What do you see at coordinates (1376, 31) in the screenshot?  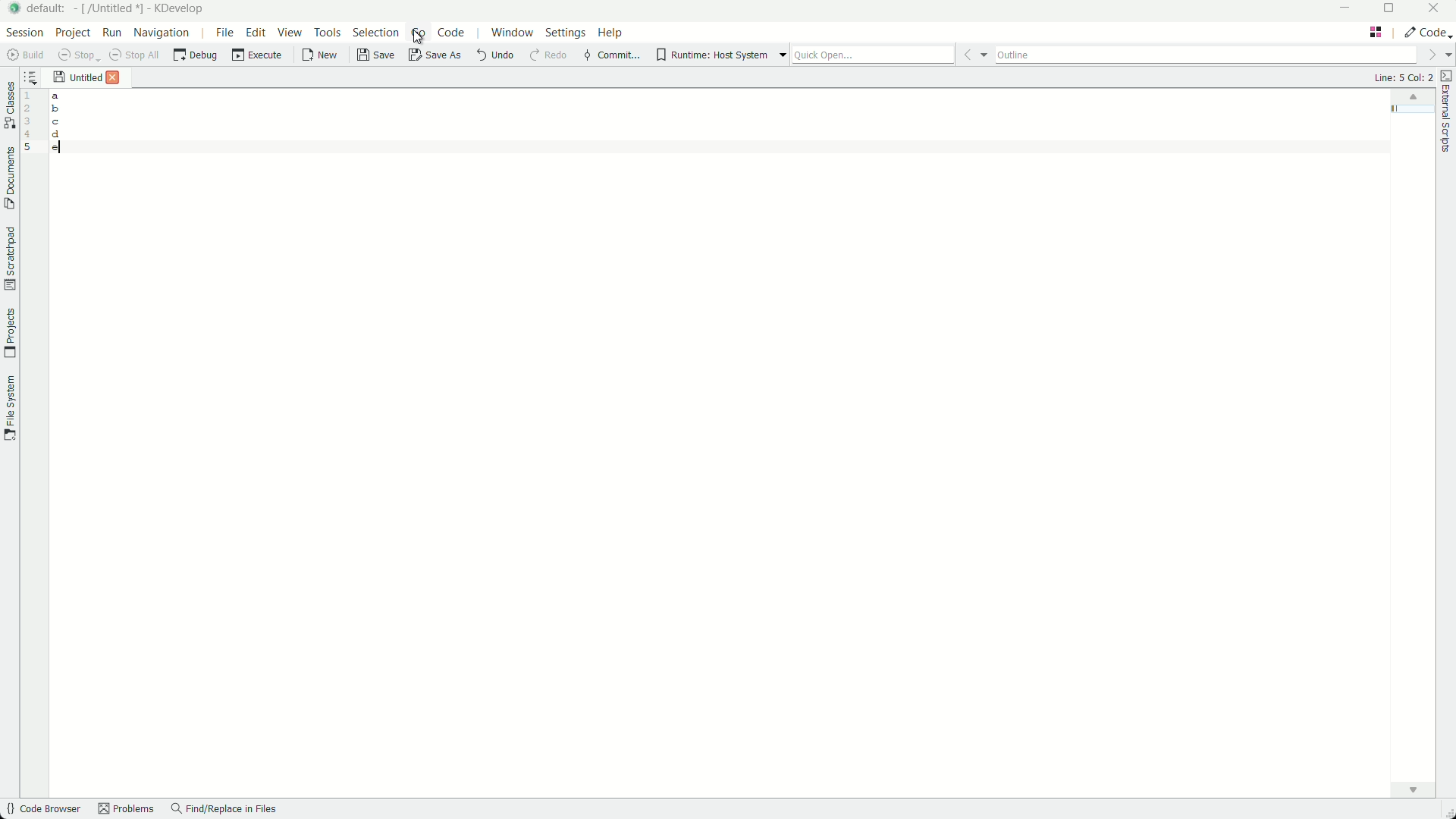 I see `edit layout` at bounding box center [1376, 31].